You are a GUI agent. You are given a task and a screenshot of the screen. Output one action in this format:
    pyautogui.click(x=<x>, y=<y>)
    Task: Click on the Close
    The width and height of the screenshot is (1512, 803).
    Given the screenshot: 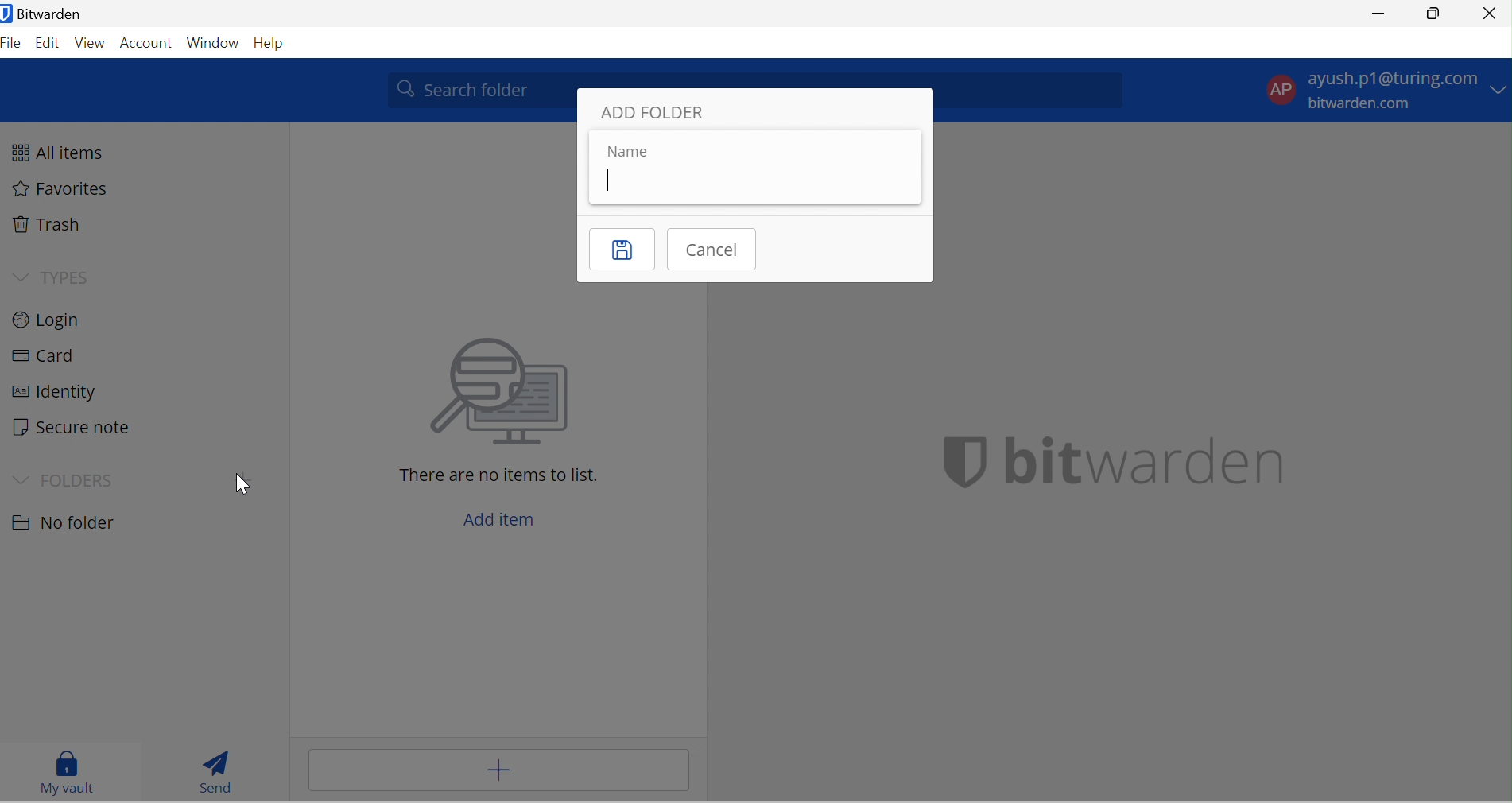 What is the action you would take?
    pyautogui.click(x=1491, y=14)
    